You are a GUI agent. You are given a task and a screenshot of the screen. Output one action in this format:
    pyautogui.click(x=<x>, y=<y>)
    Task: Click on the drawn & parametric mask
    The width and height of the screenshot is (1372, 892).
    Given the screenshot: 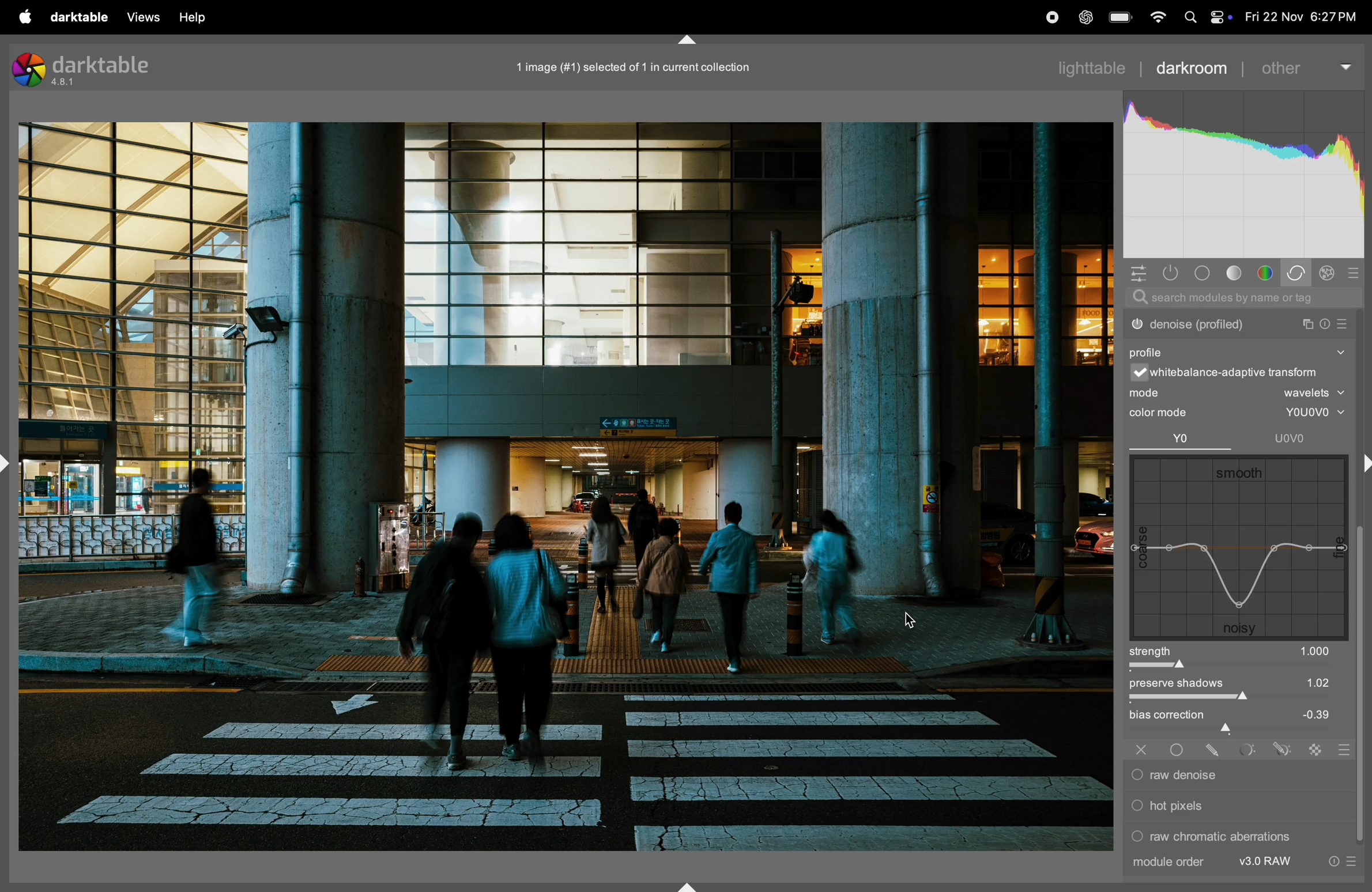 What is the action you would take?
    pyautogui.click(x=1283, y=749)
    